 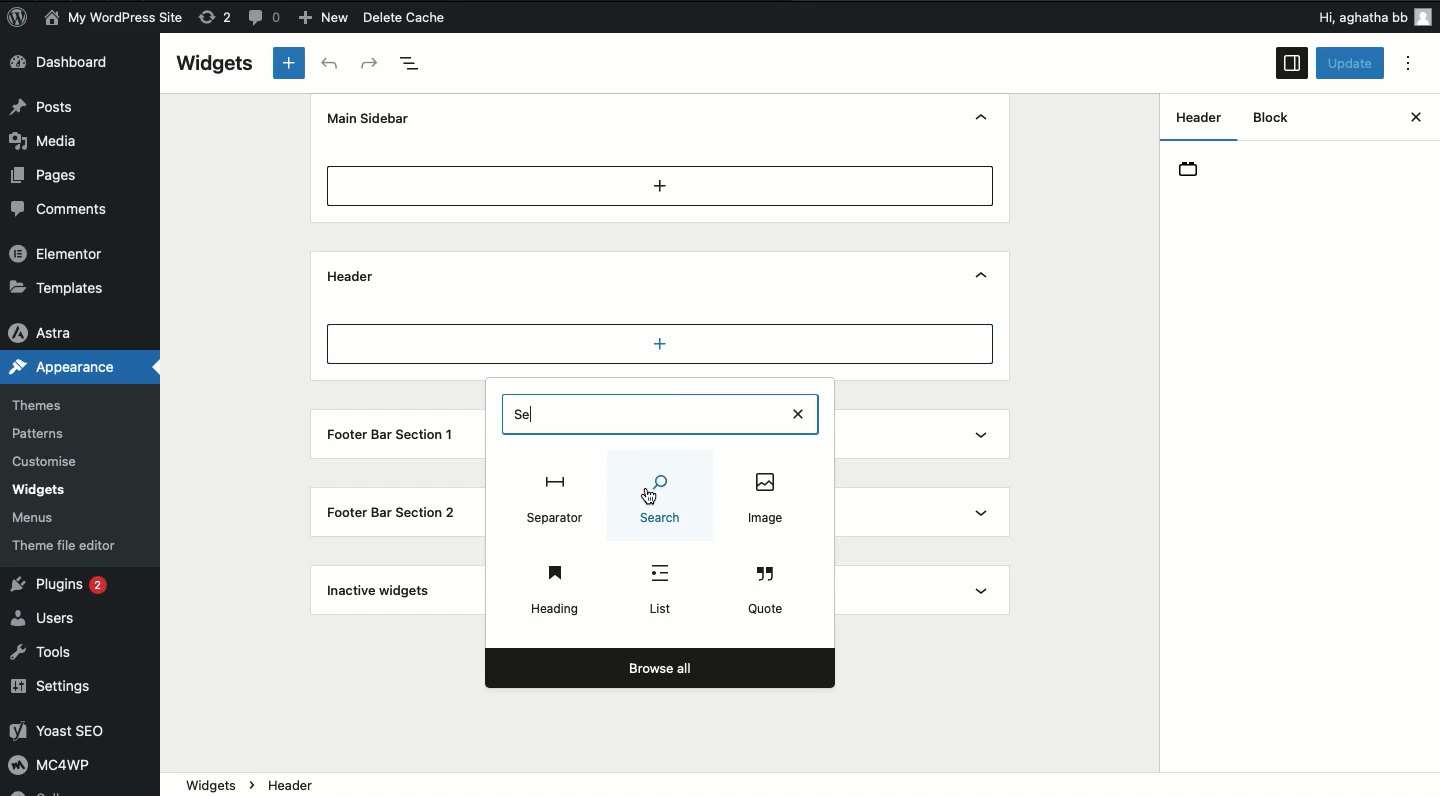 What do you see at coordinates (63, 209) in the screenshot?
I see `Comments` at bounding box center [63, 209].